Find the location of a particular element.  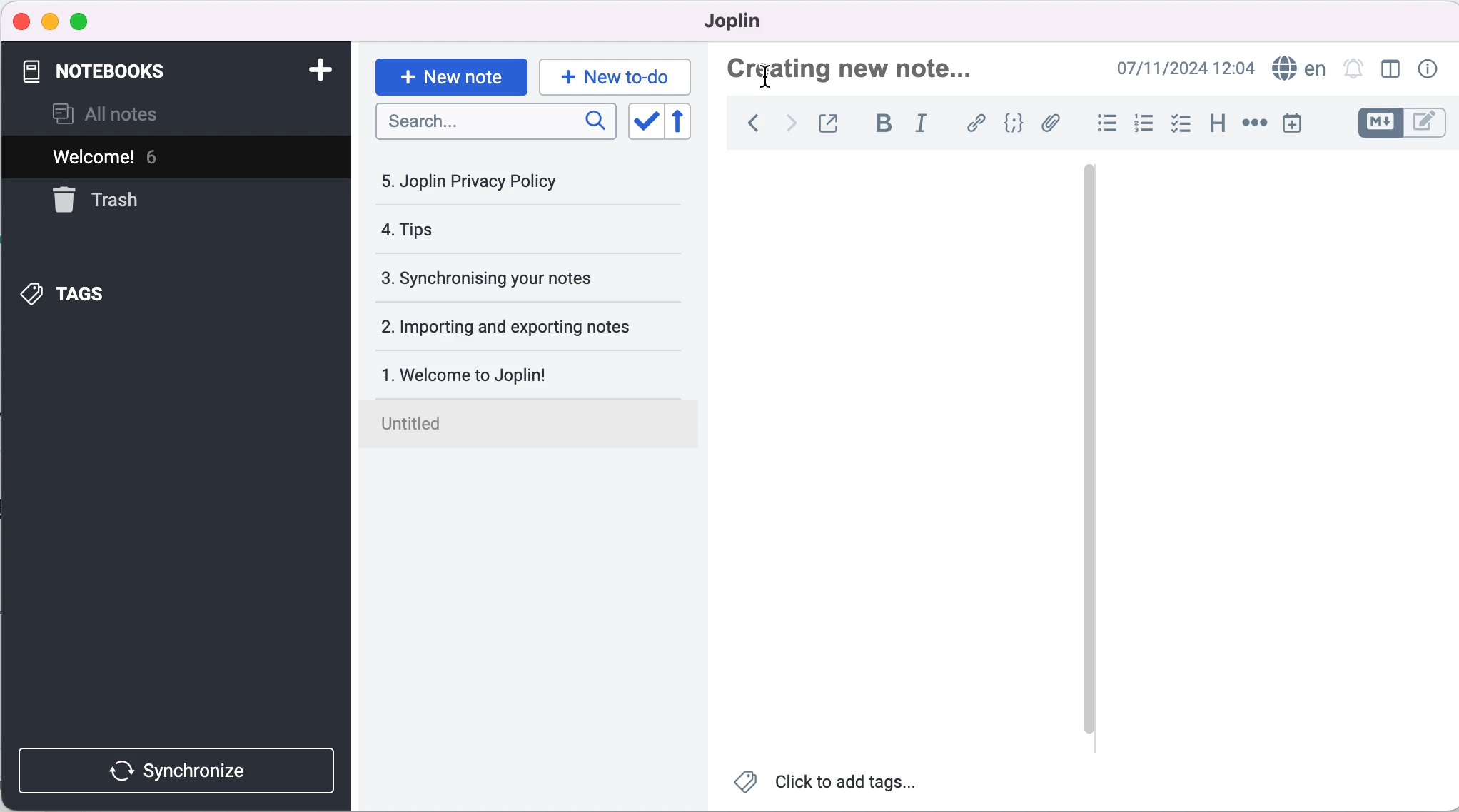

back is located at coordinates (749, 123).